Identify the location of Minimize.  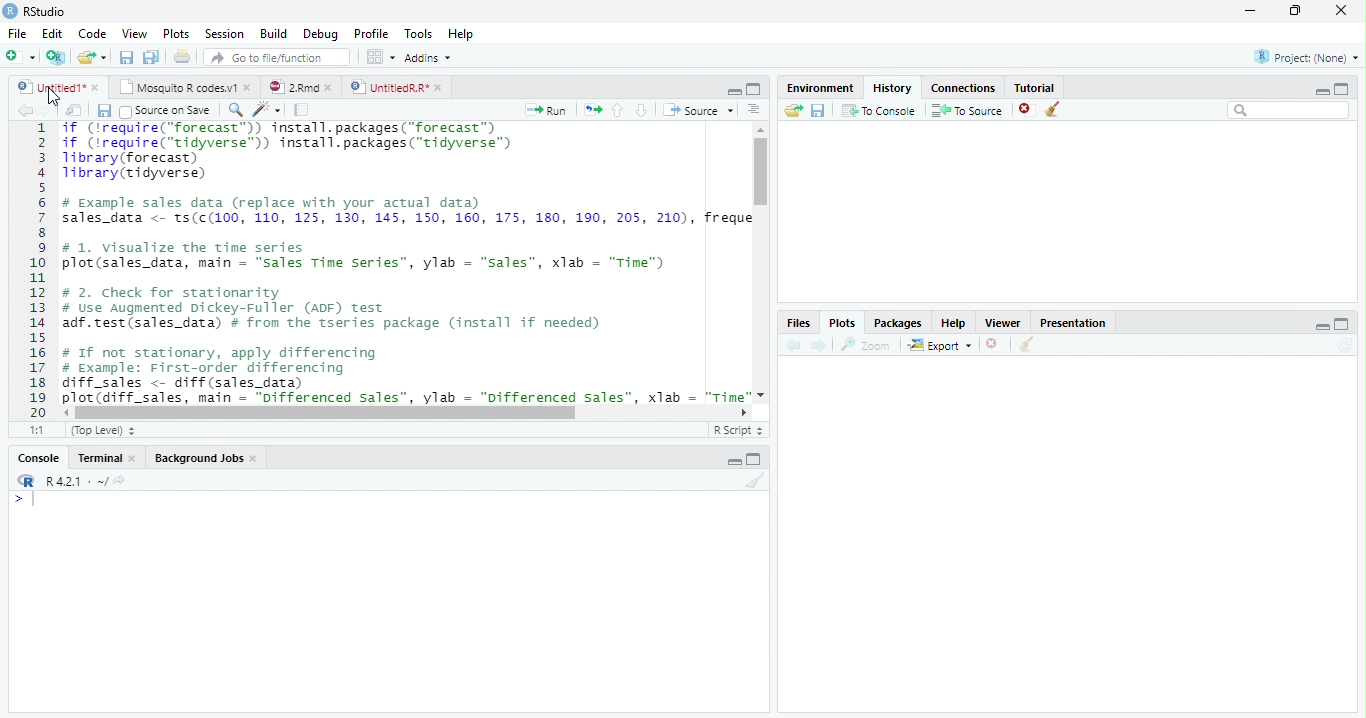
(1318, 326).